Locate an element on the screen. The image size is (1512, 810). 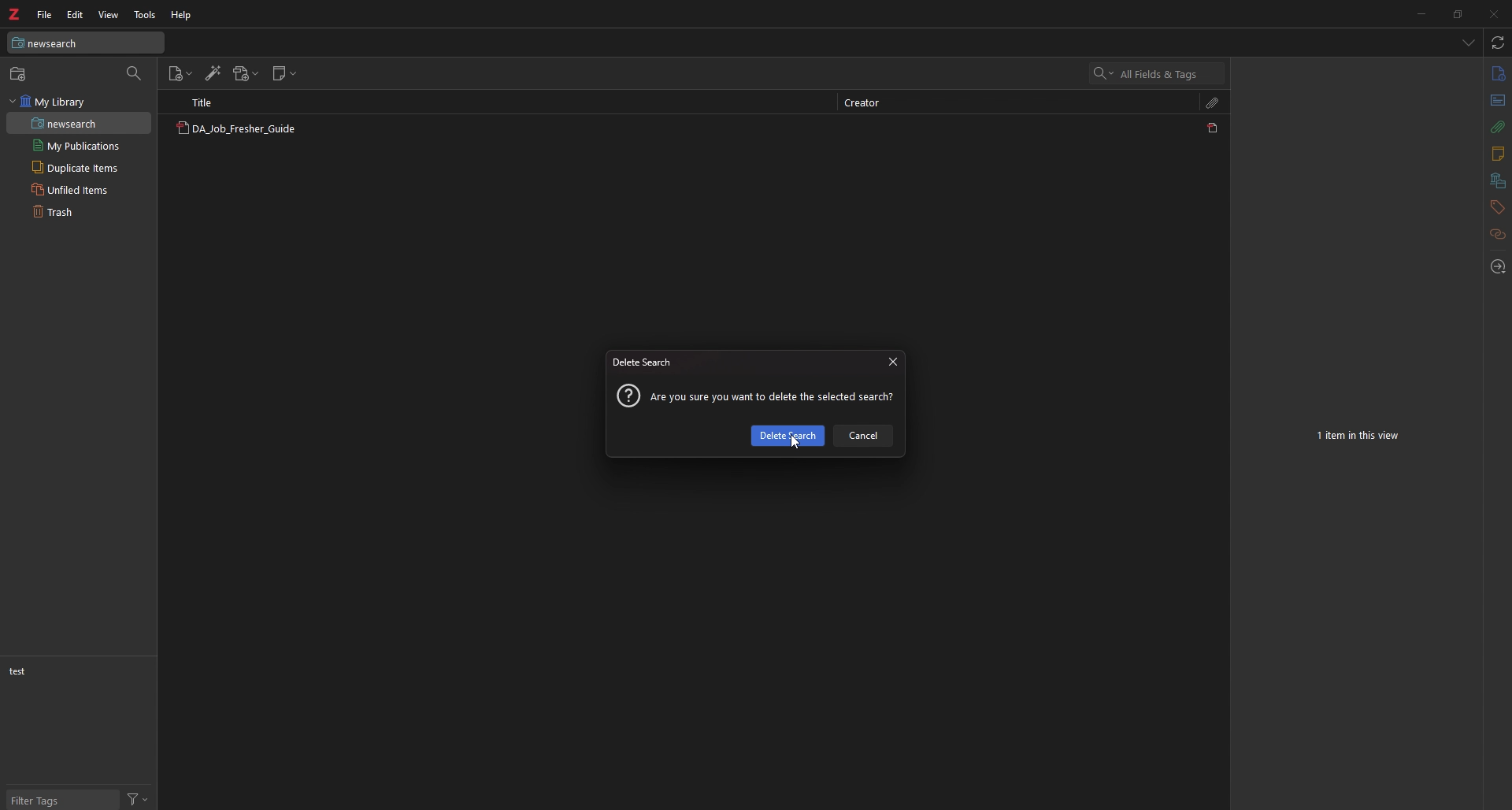
close is located at coordinates (892, 360).